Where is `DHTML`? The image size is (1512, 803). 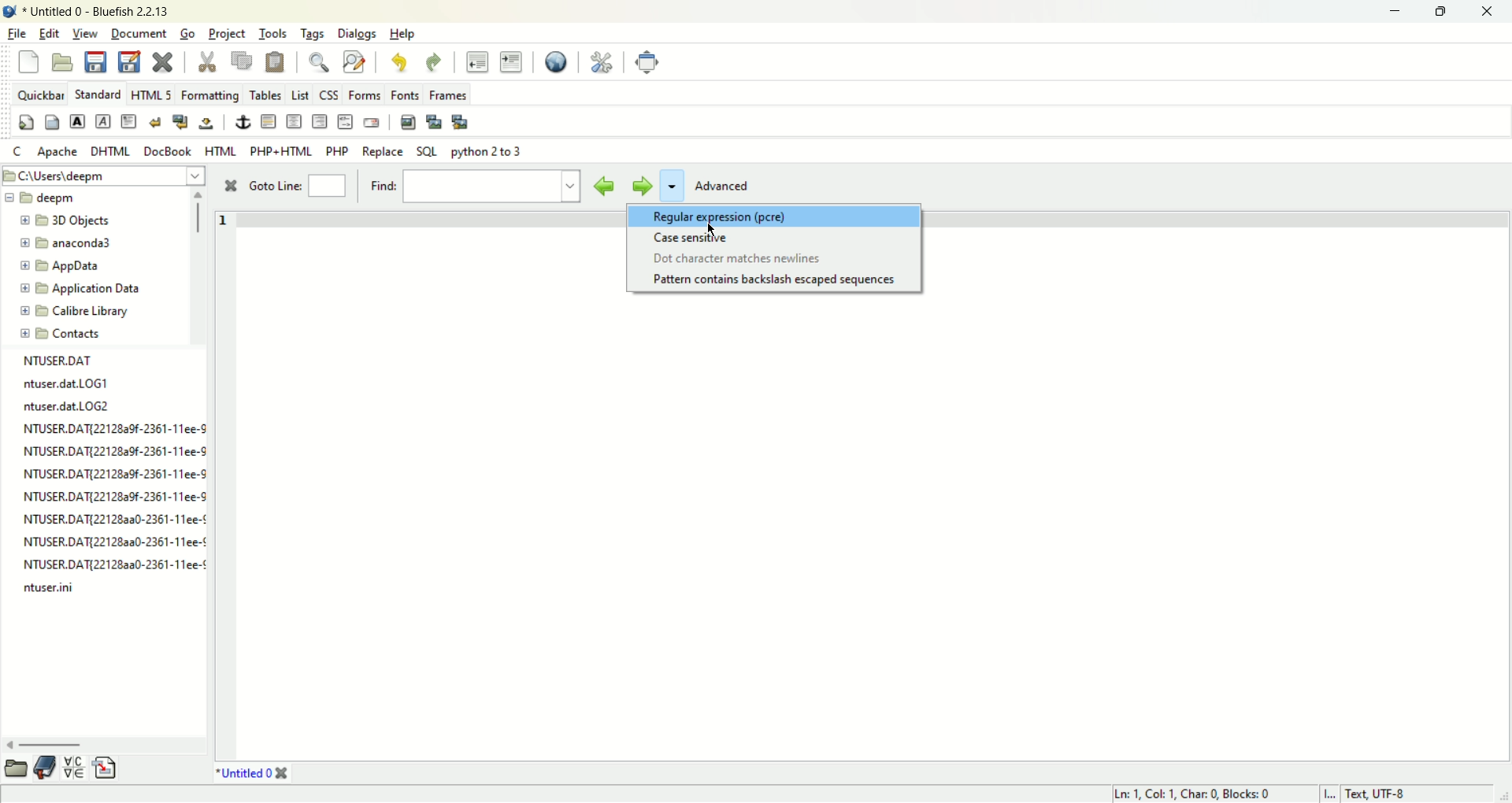 DHTML is located at coordinates (112, 151).